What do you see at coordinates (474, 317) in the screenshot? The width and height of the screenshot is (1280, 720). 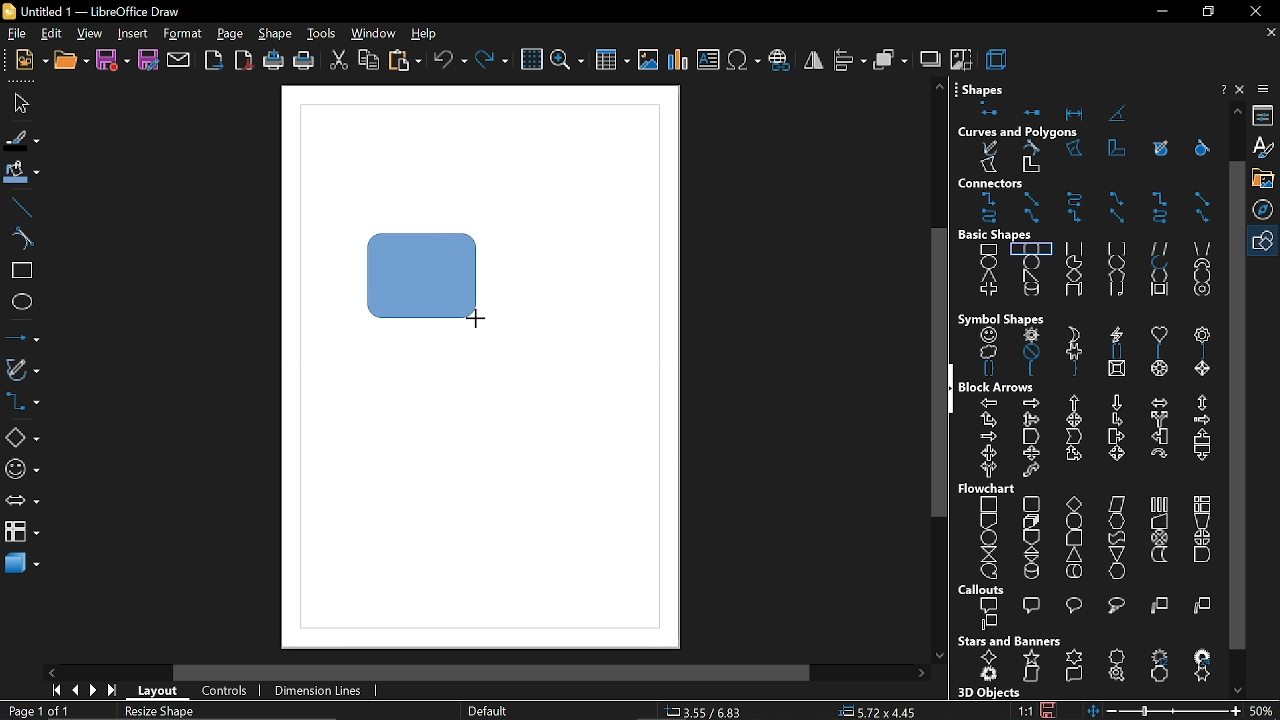 I see `Cursor` at bounding box center [474, 317].